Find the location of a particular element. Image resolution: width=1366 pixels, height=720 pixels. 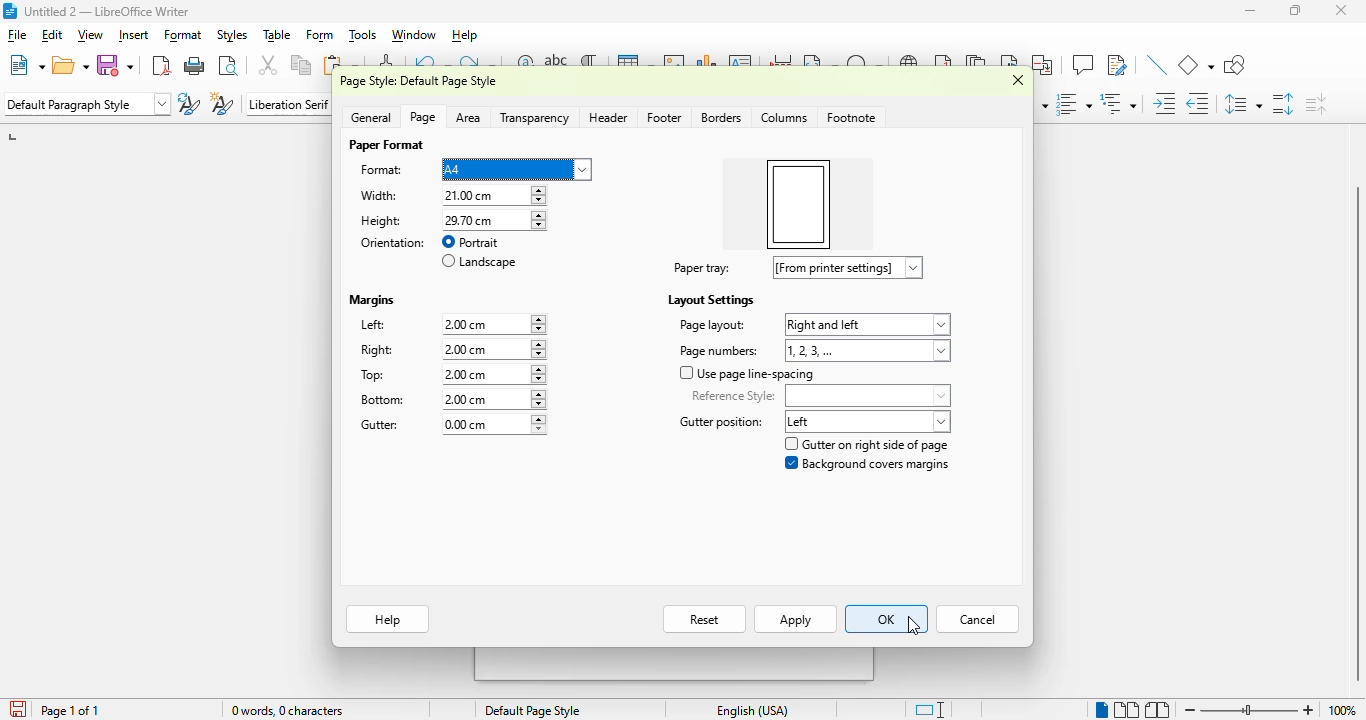

top: 2.00 cm is located at coordinates (446, 374).